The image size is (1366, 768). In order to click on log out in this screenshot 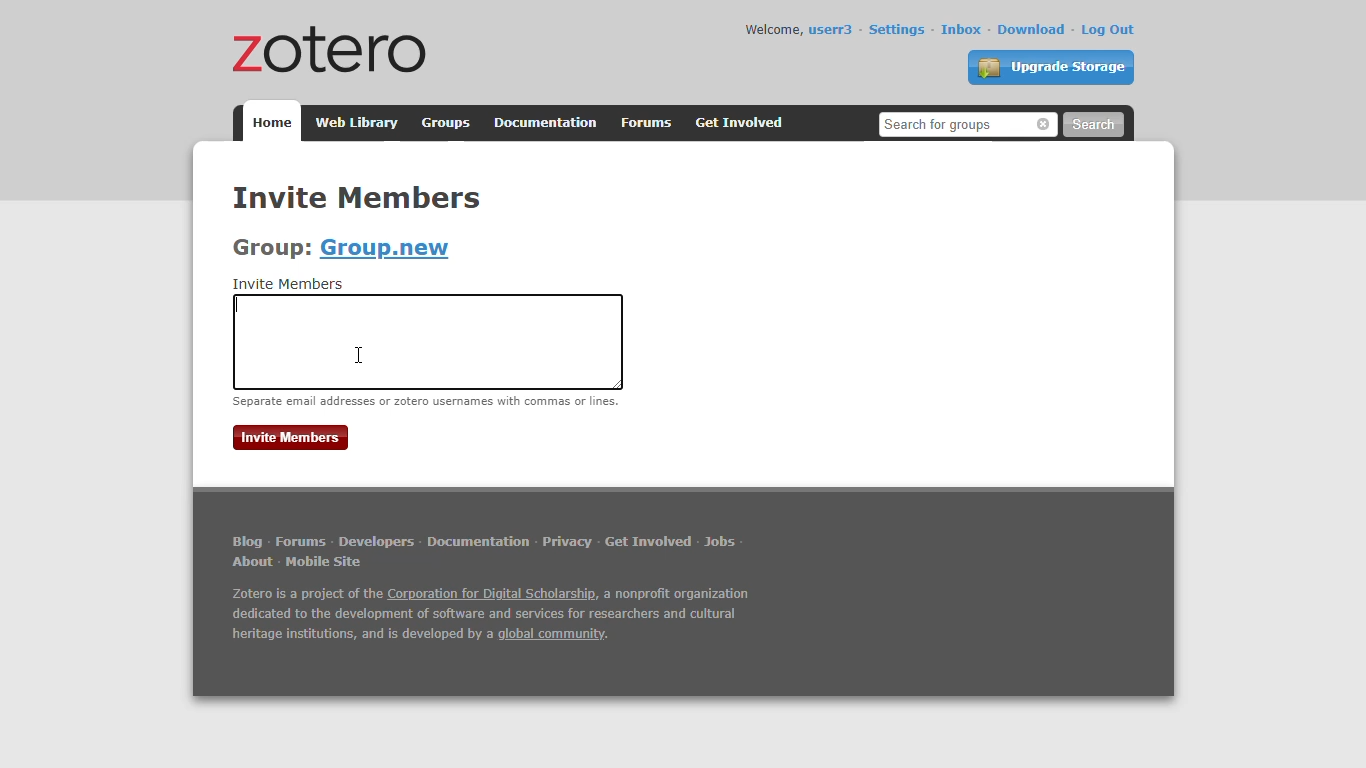, I will do `click(1108, 30)`.